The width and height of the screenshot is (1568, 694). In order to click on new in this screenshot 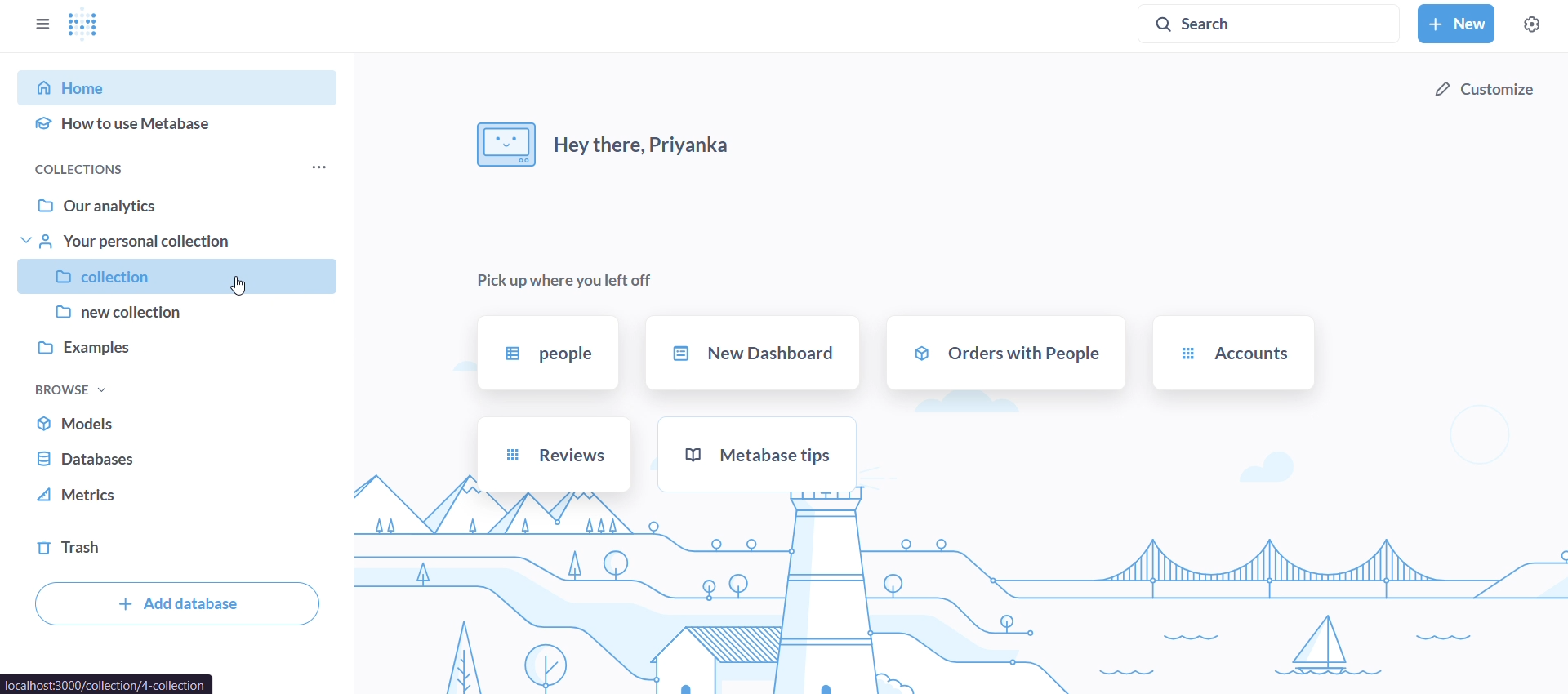, I will do `click(1455, 24)`.